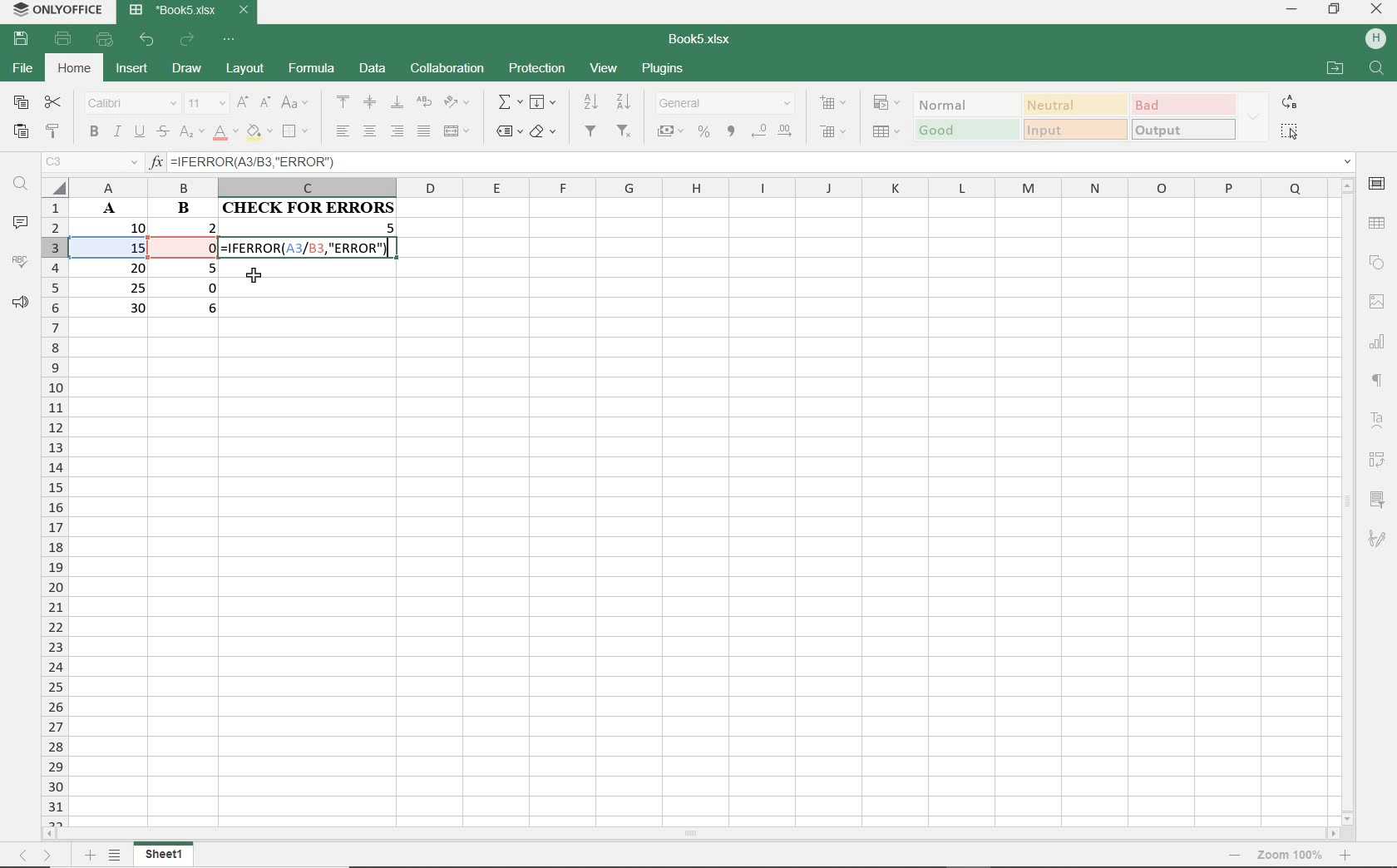 The image size is (1397, 868). What do you see at coordinates (299, 131) in the screenshot?
I see `BORDERS` at bounding box center [299, 131].